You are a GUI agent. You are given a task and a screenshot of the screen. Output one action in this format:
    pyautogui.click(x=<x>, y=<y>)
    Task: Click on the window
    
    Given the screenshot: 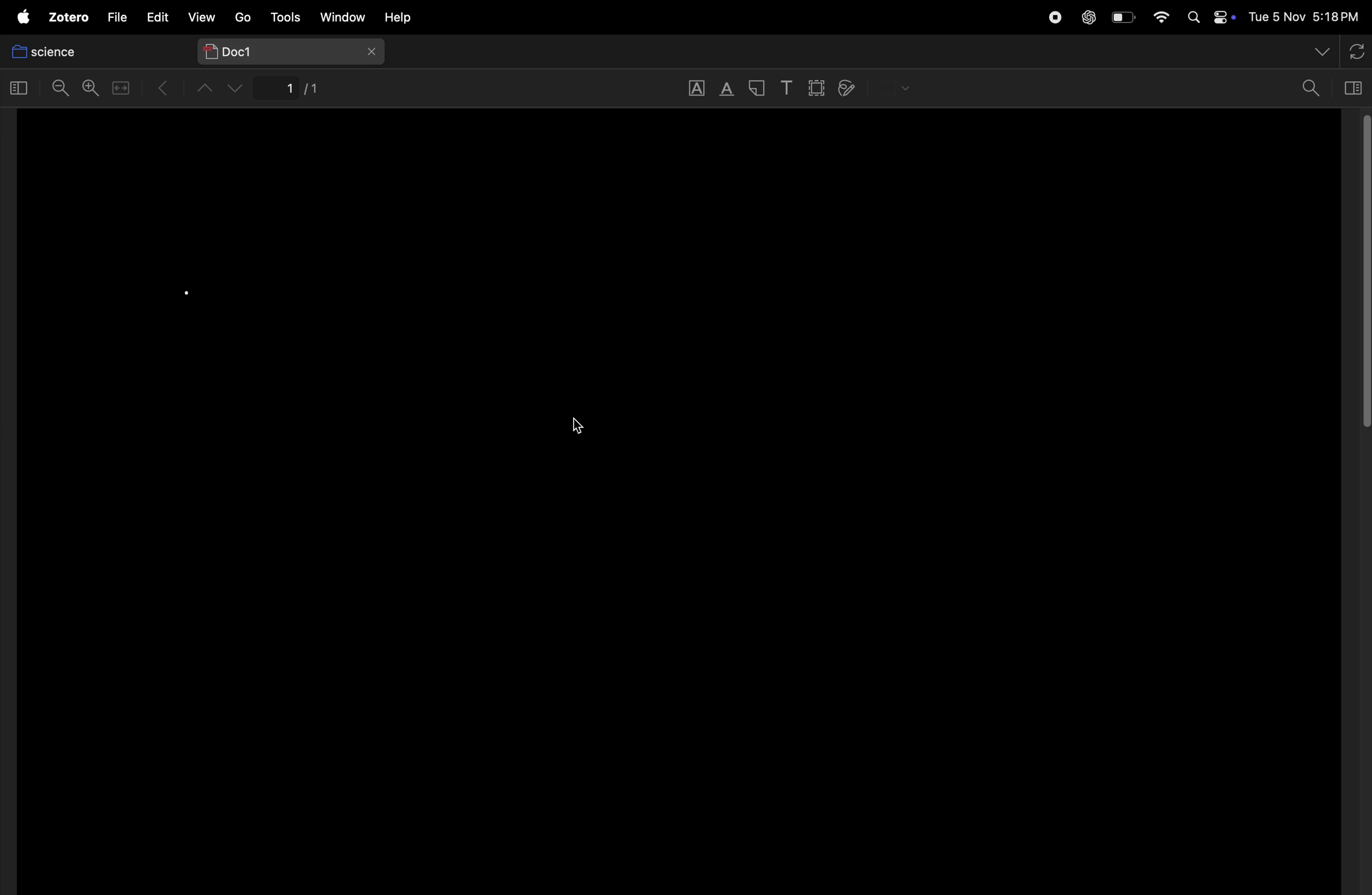 What is the action you would take?
    pyautogui.click(x=346, y=17)
    